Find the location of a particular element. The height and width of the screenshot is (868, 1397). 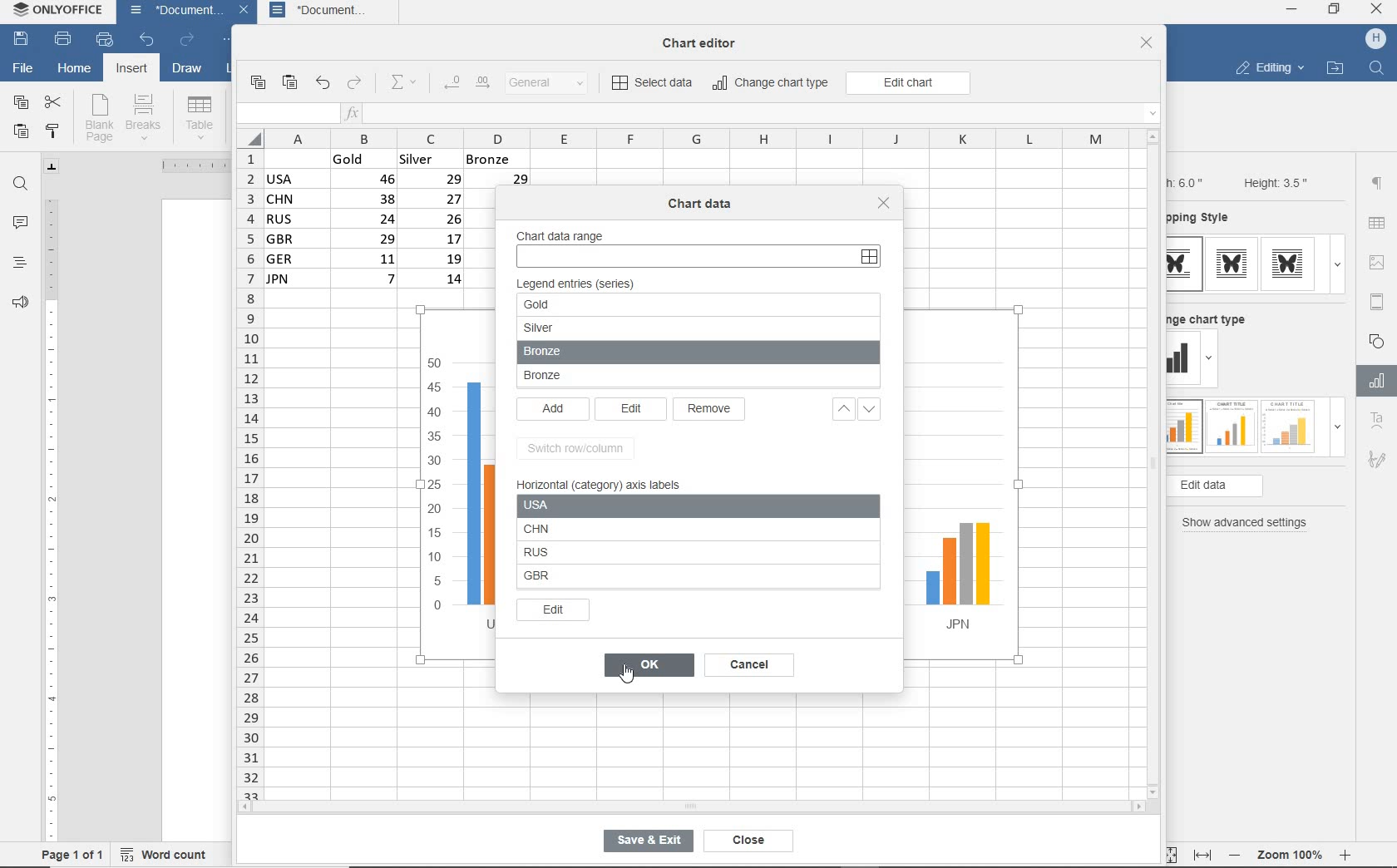

chart data is located at coordinates (701, 204).